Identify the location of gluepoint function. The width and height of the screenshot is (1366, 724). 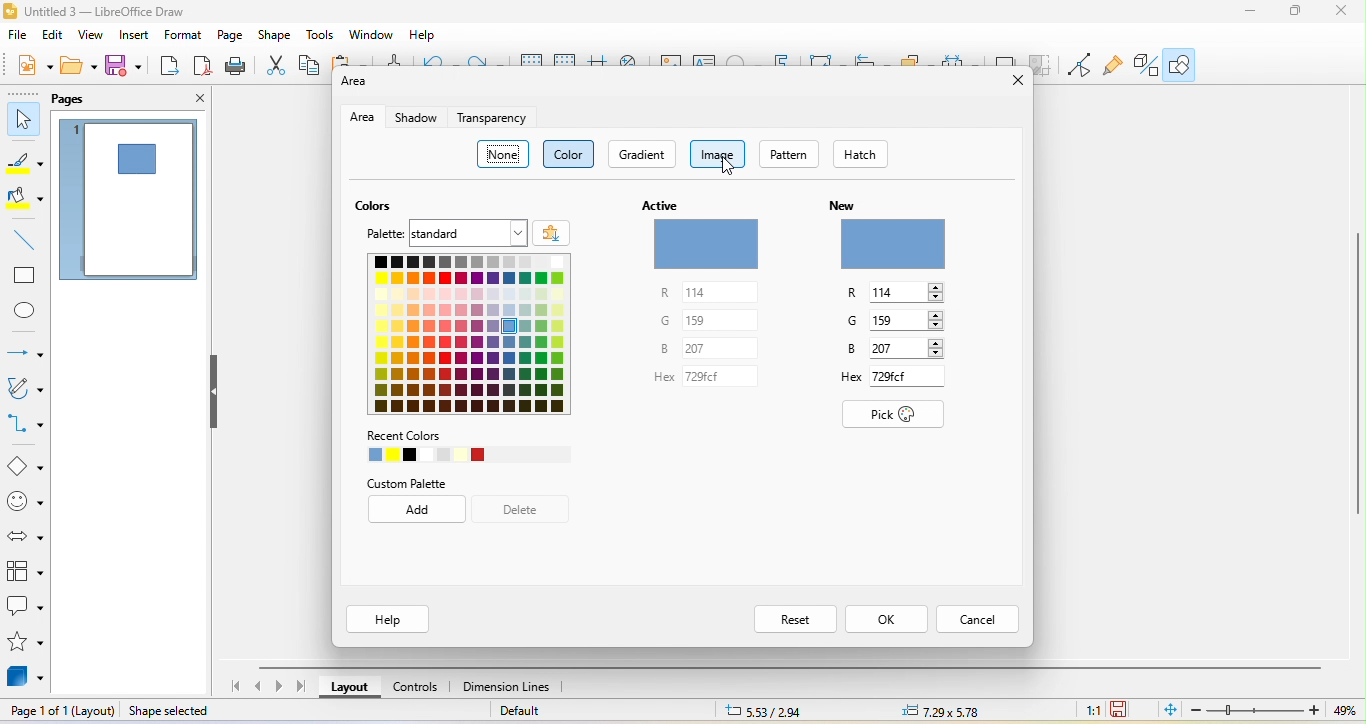
(1116, 65).